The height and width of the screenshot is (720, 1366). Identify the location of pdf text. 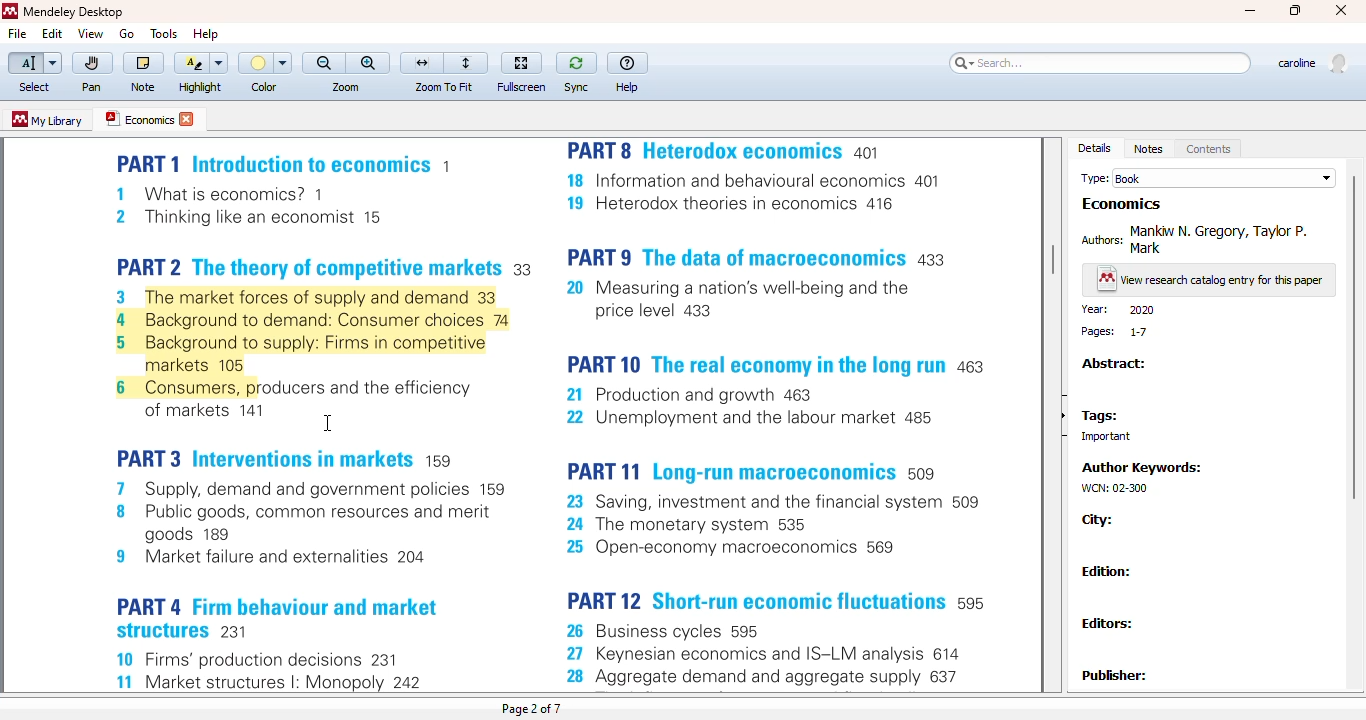
(775, 415).